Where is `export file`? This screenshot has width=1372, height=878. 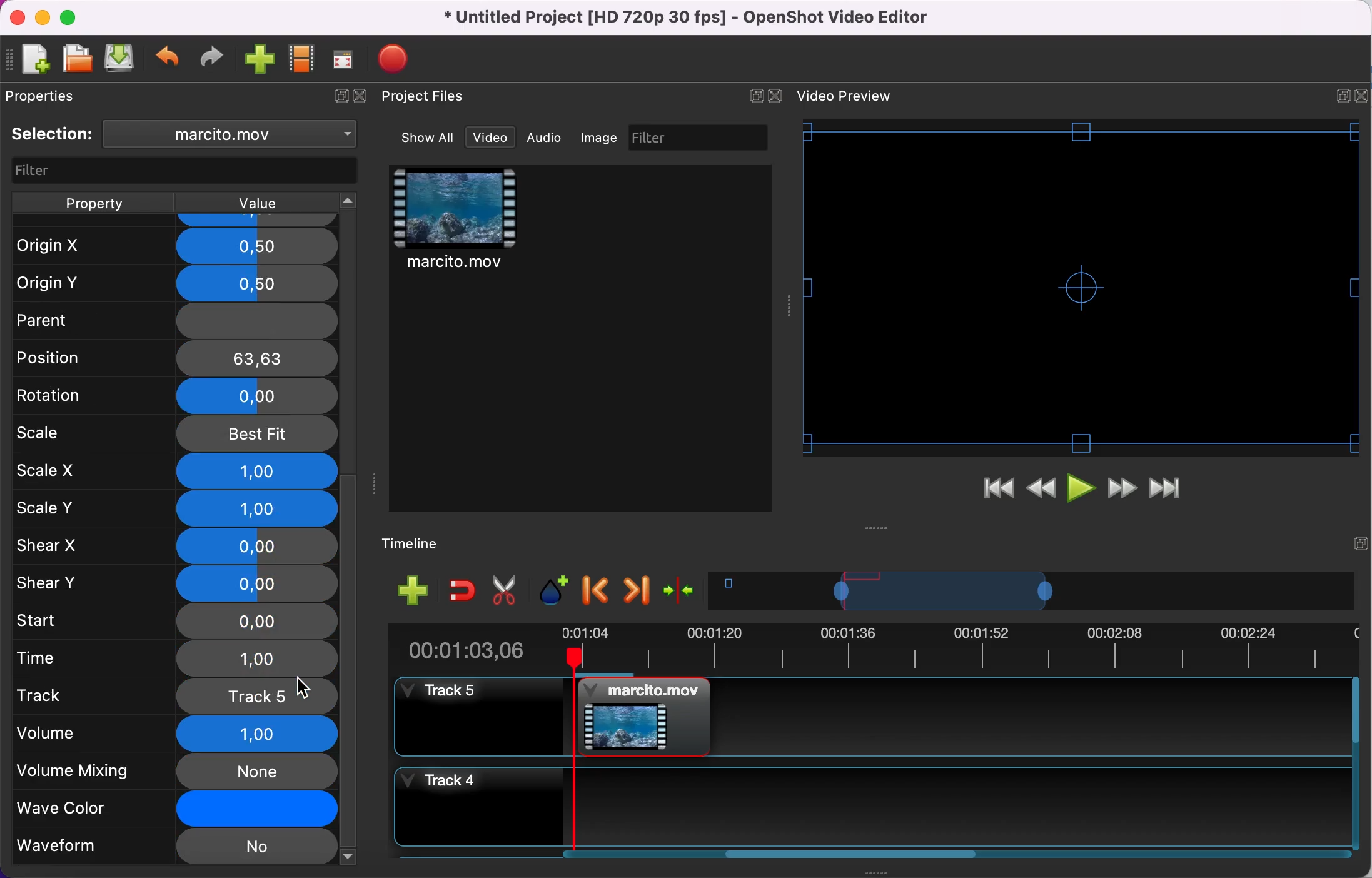
export file is located at coordinates (400, 59).